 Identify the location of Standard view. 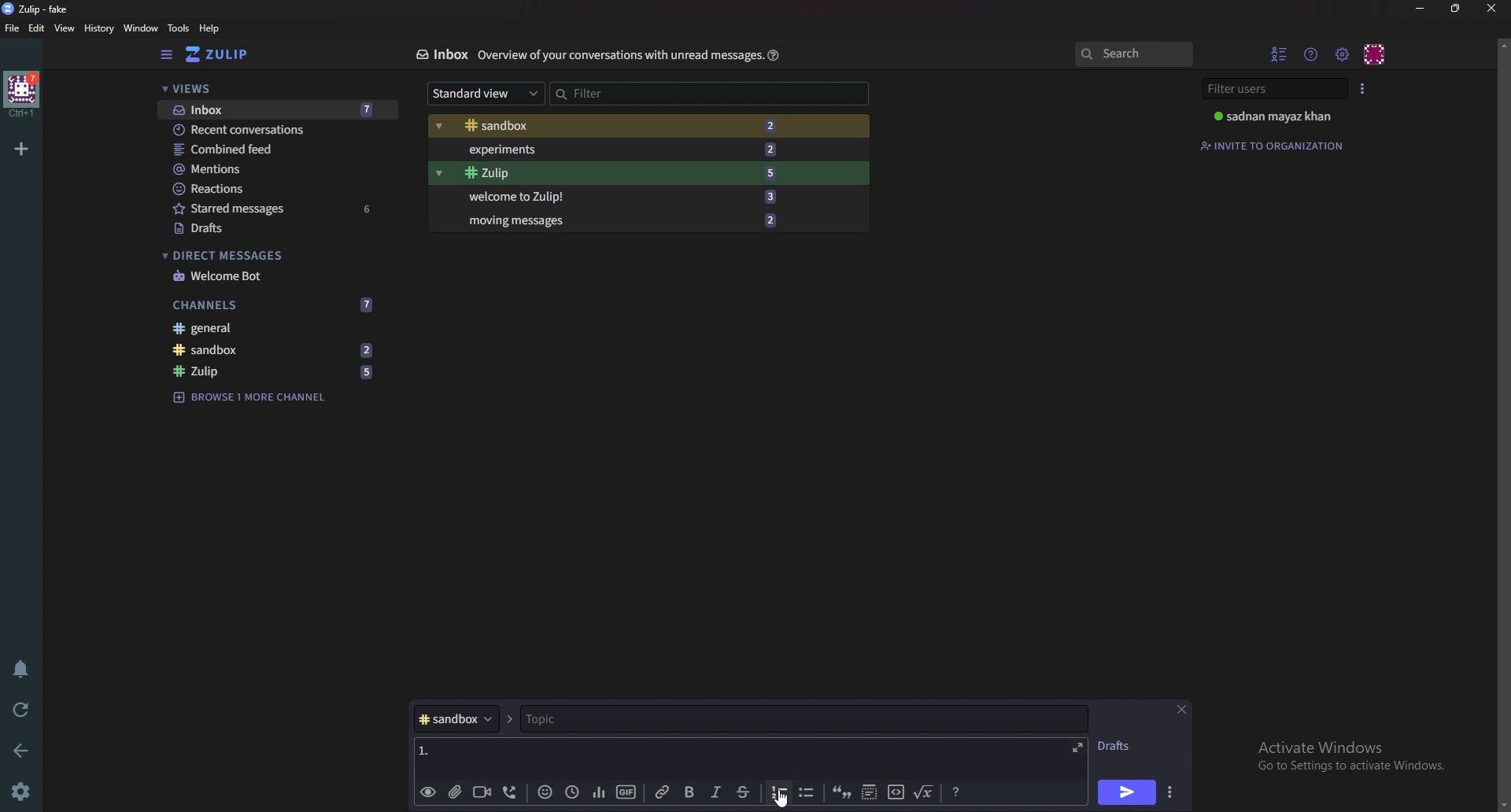
(481, 94).